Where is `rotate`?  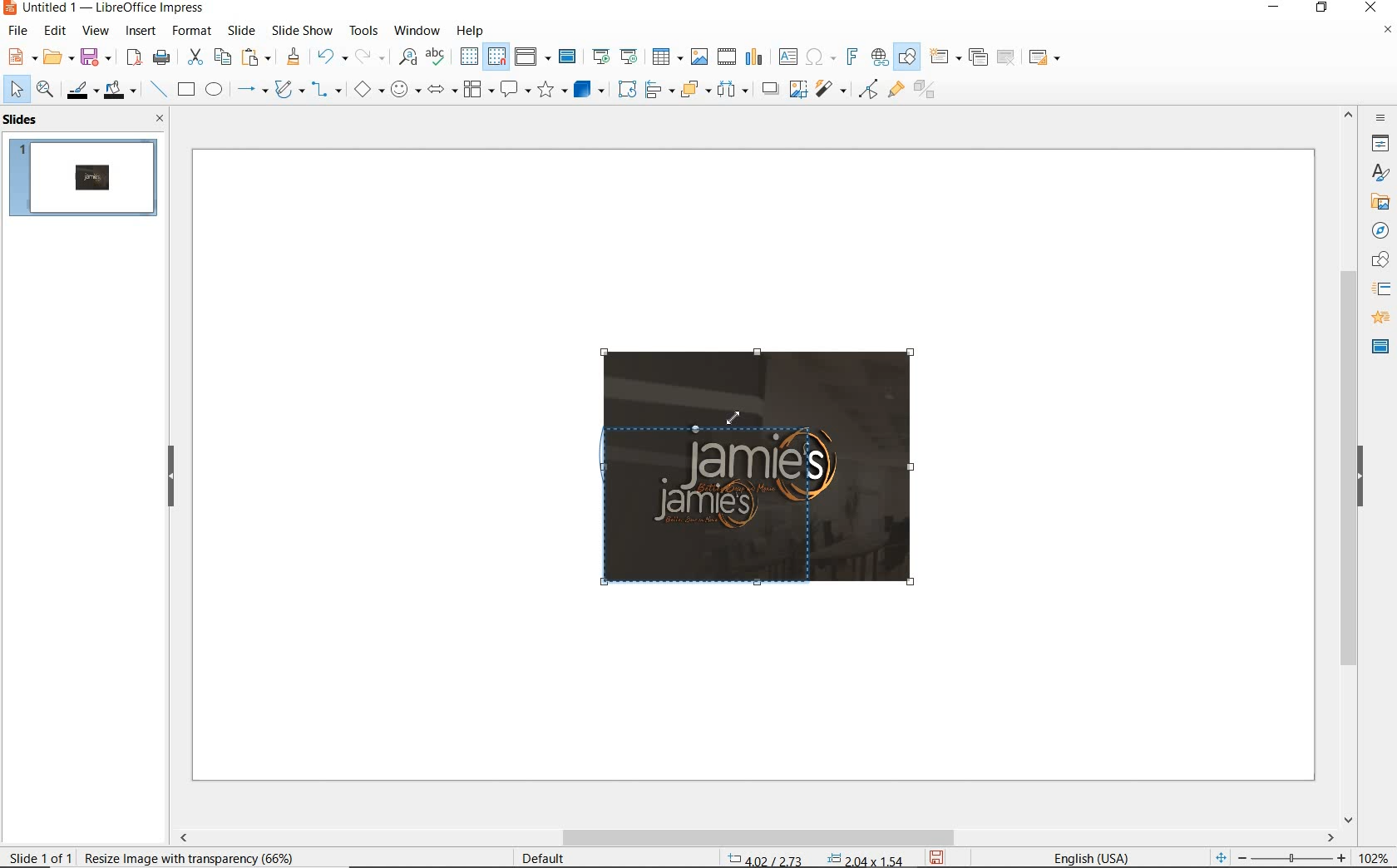
rotate is located at coordinates (624, 88).